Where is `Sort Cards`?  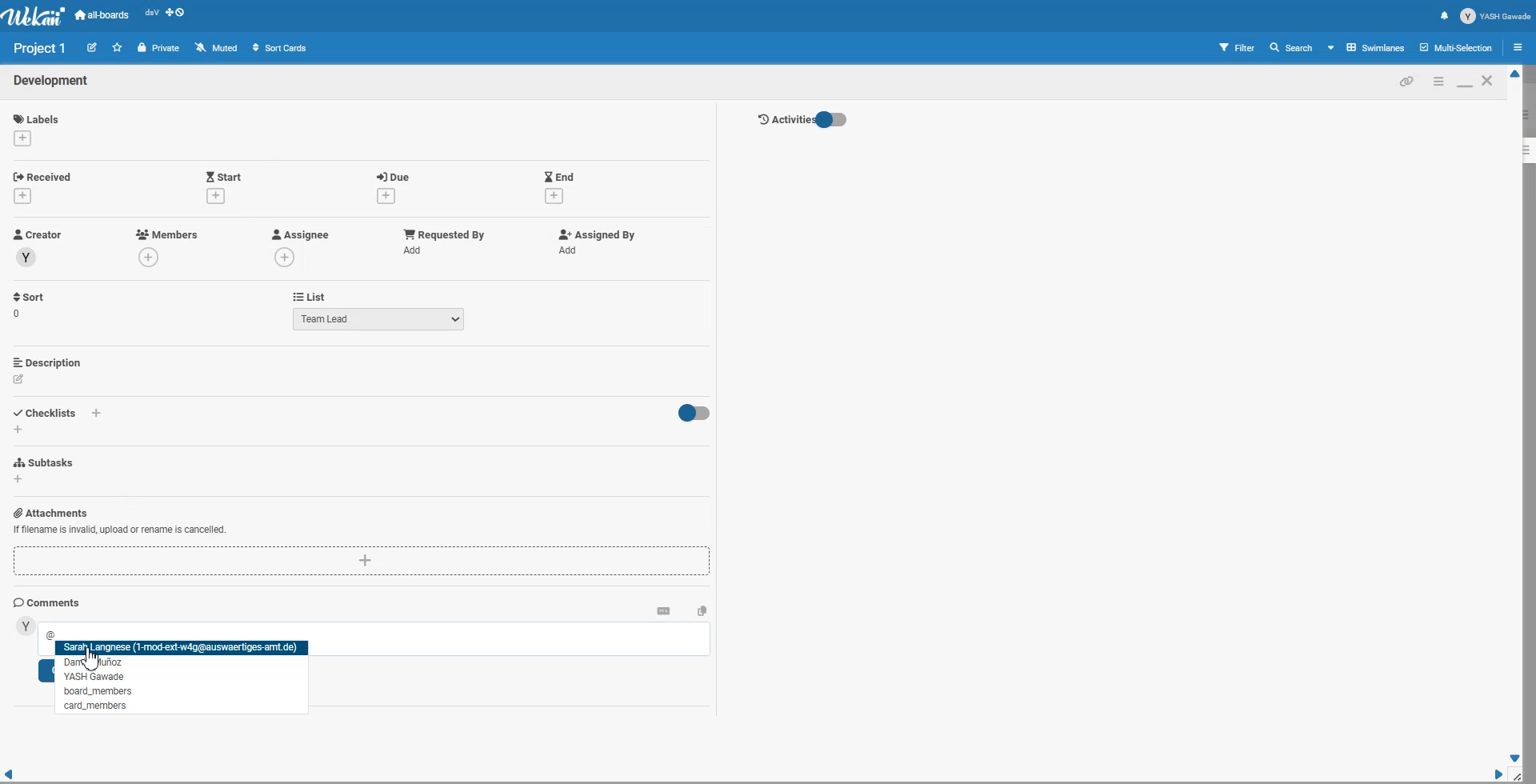 Sort Cards is located at coordinates (279, 47).